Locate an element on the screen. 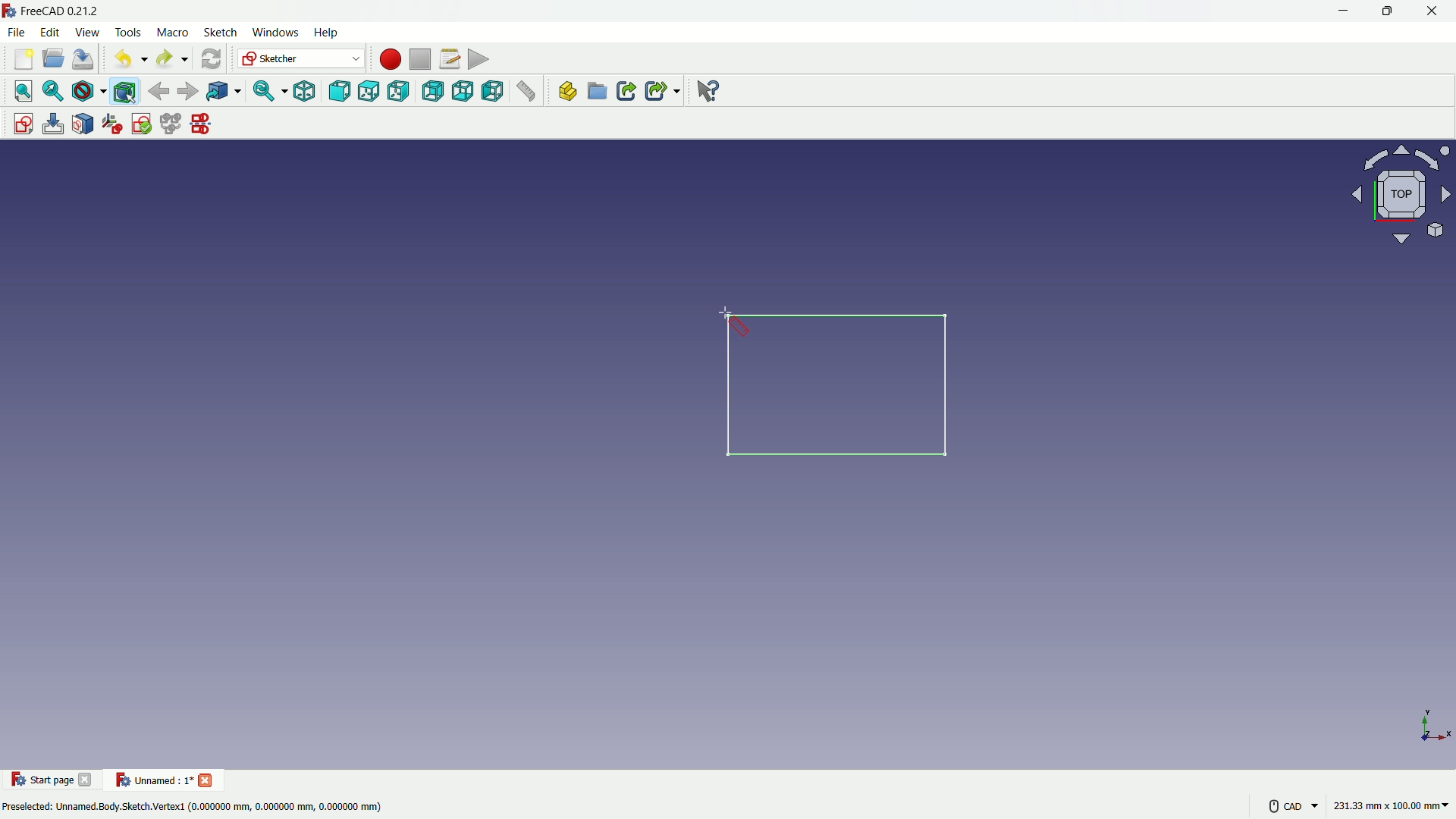 This screenshot has width=1456, height=819. new file is located at coordinates (21, 62).